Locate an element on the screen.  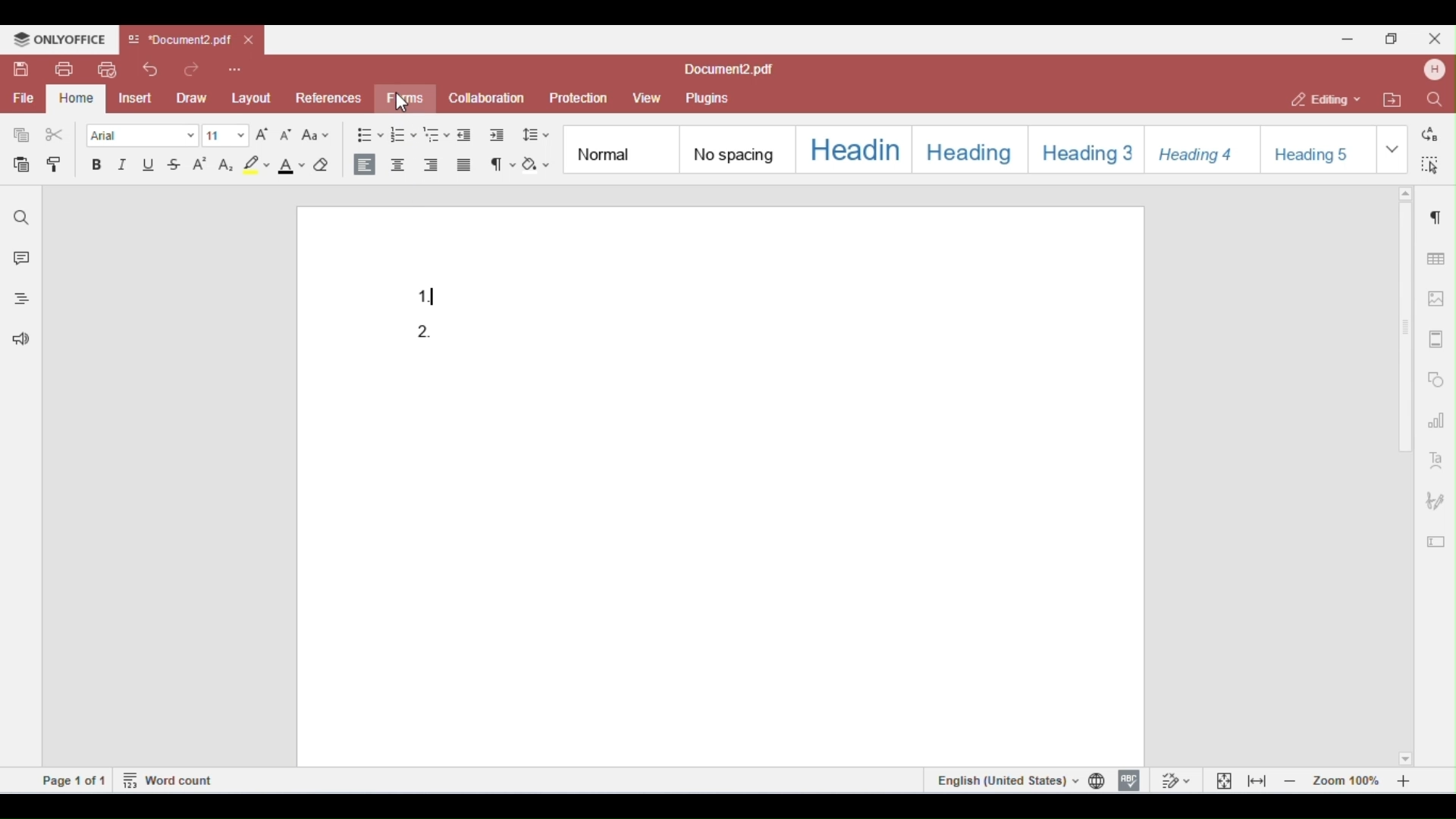
heading is located at coordinates (965, 147).